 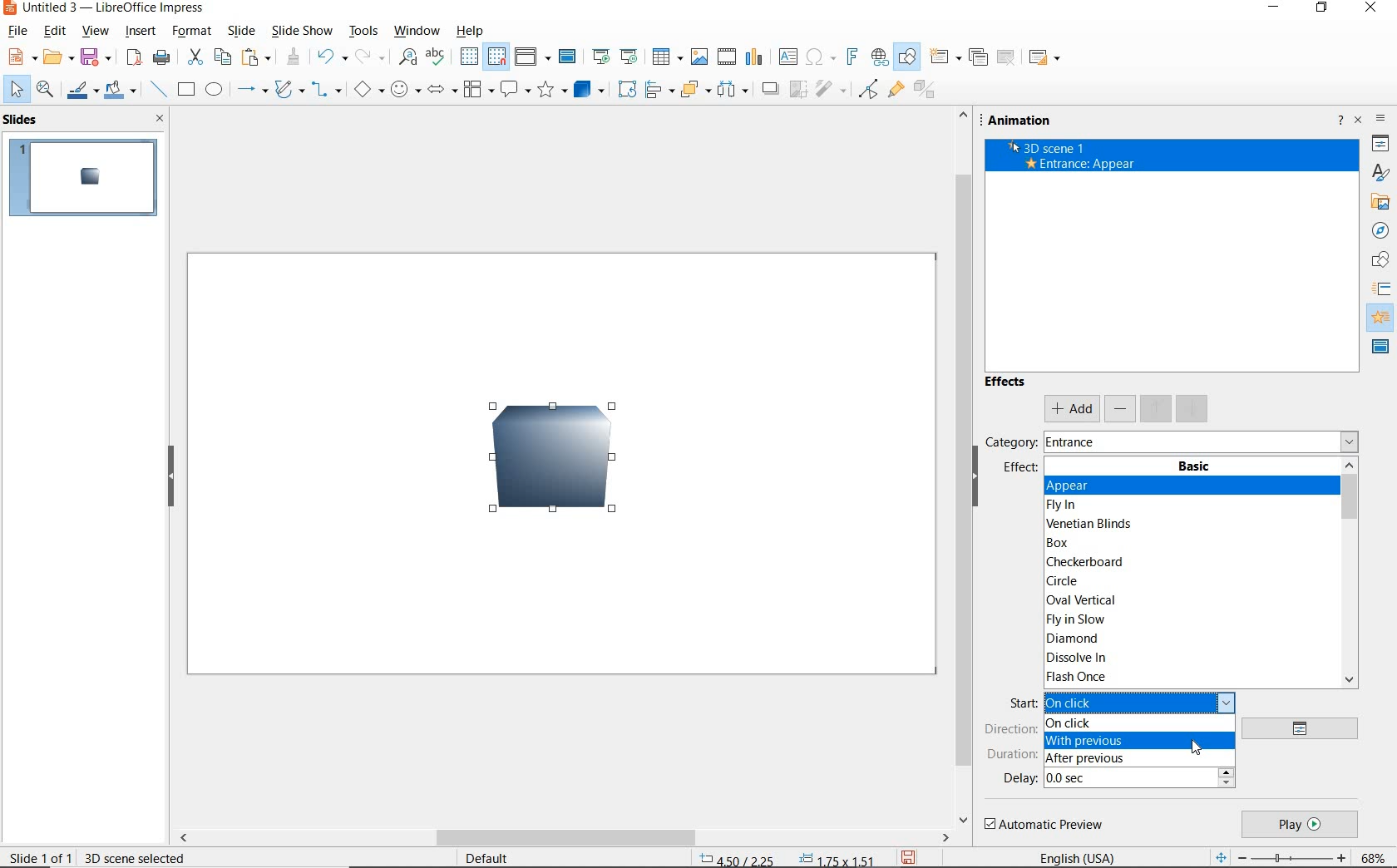 What do you see at coordinates (1007, 57) in the screenshot?
I see `delete slide` at bounding box center [1007, 57].